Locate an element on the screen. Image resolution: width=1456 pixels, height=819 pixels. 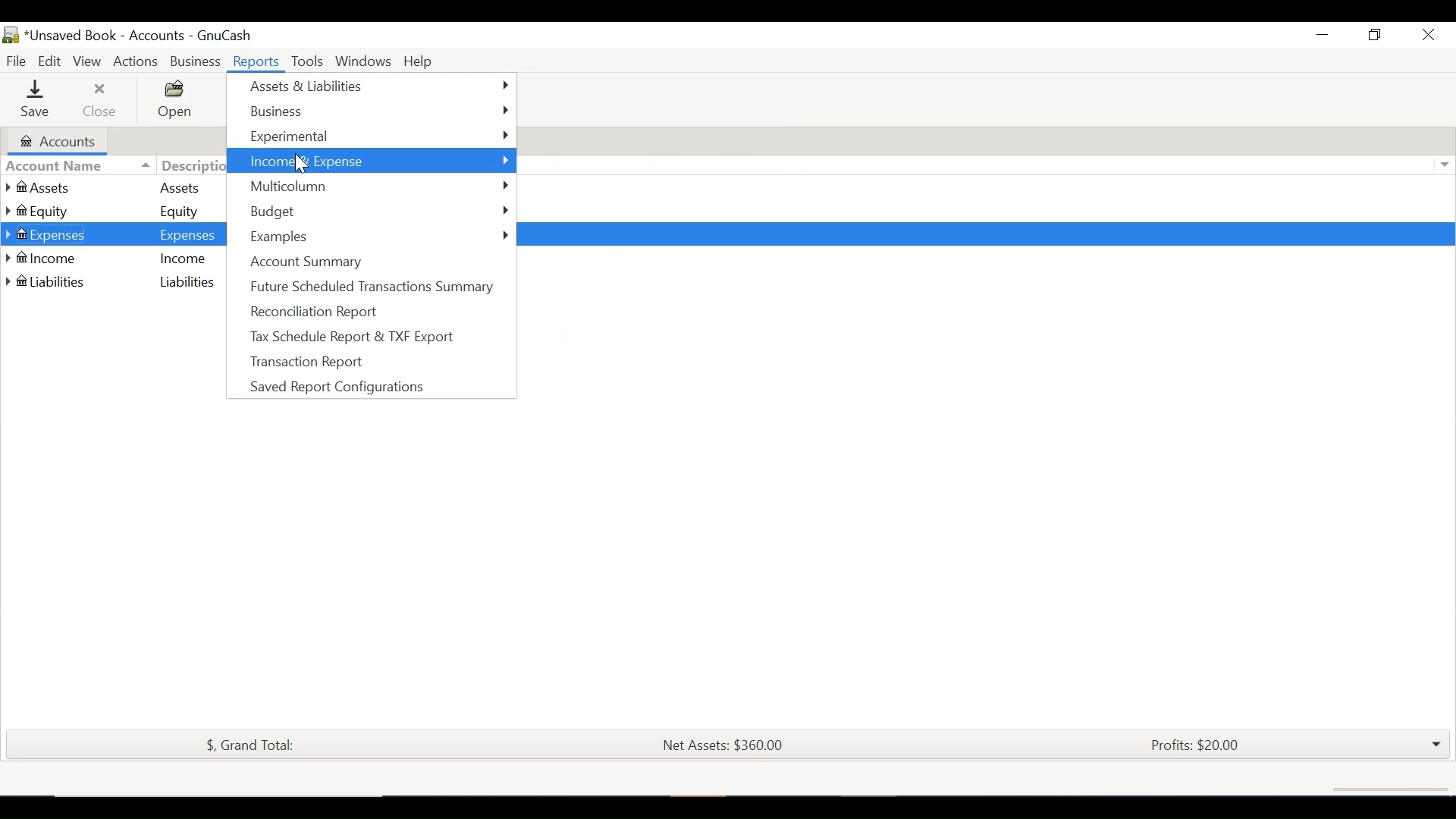
Income & Expenses is located at coordinates (369, 161).